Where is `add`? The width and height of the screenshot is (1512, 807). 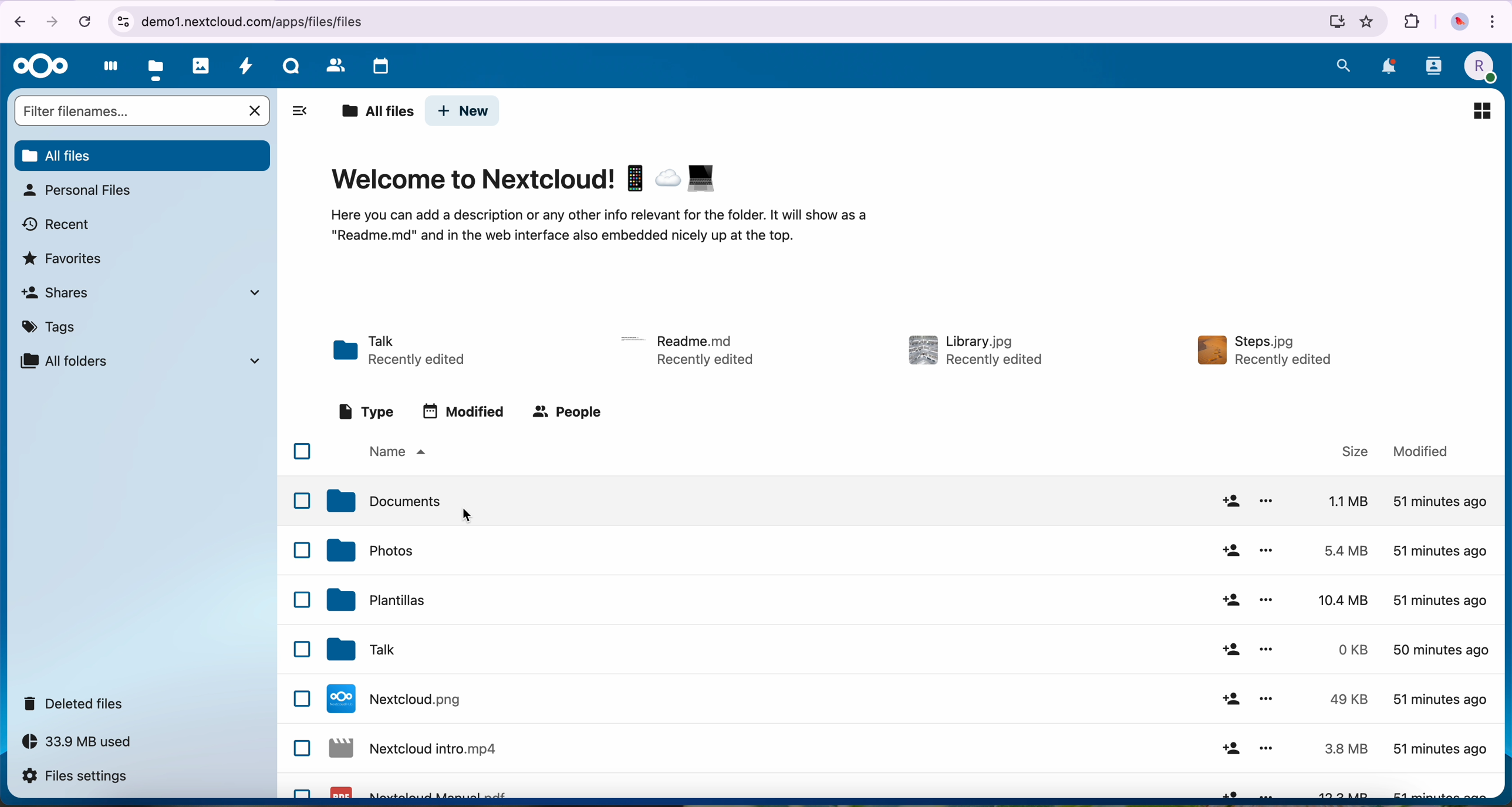
add is located at coordinates (1233, 698).